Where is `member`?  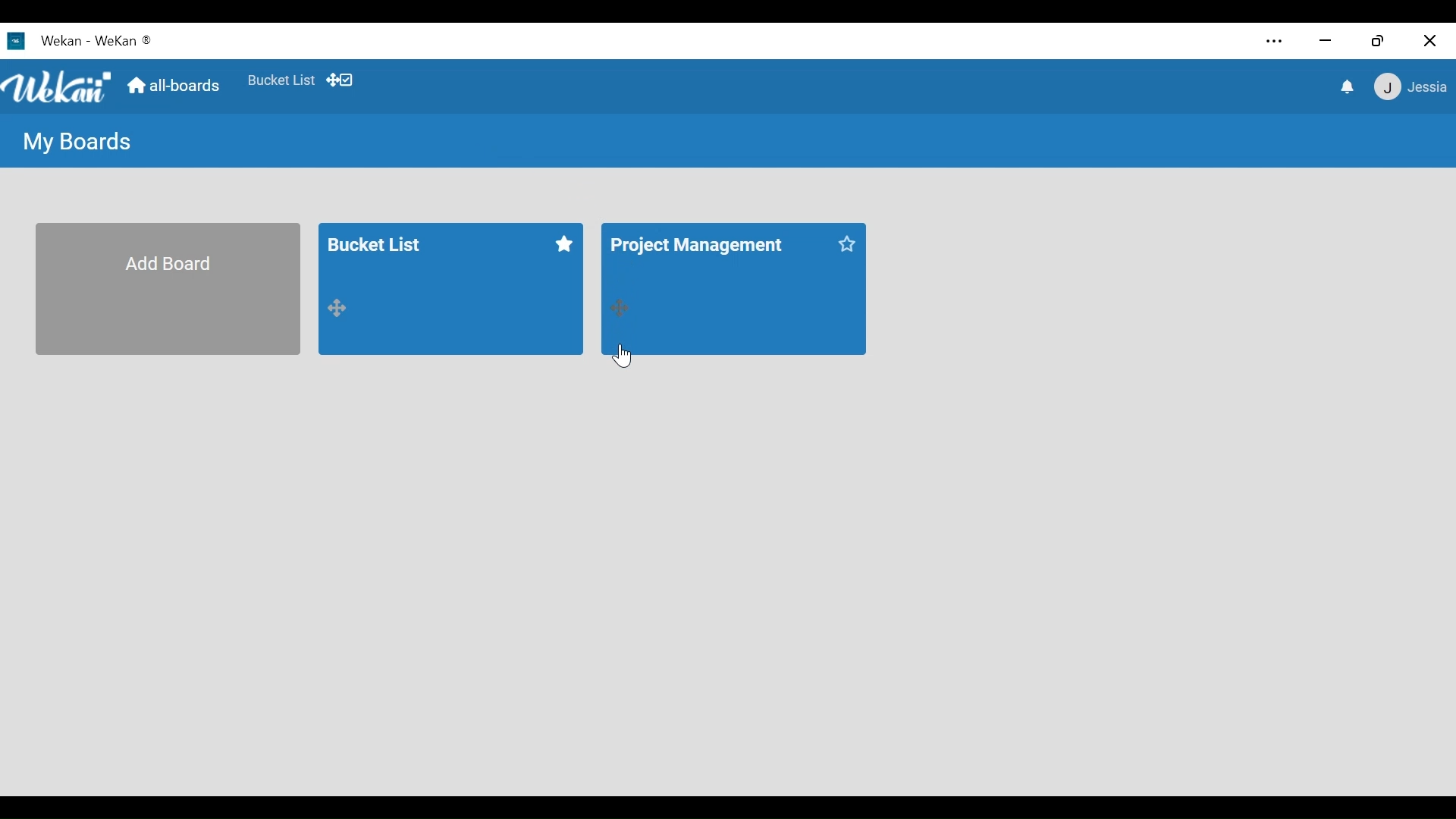
member is located at coordinates (1408, 87).